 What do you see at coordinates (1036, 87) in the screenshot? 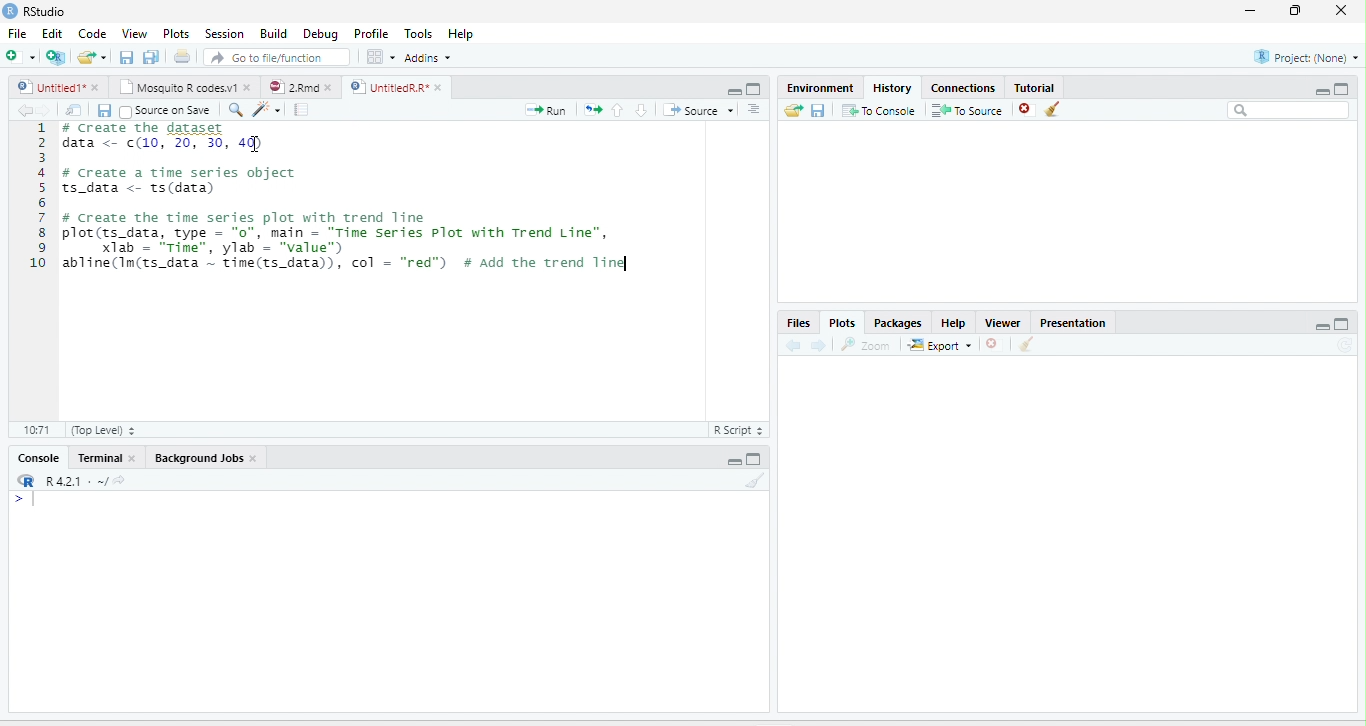
I see `Tutorial` at bounding box center [1036, 87].